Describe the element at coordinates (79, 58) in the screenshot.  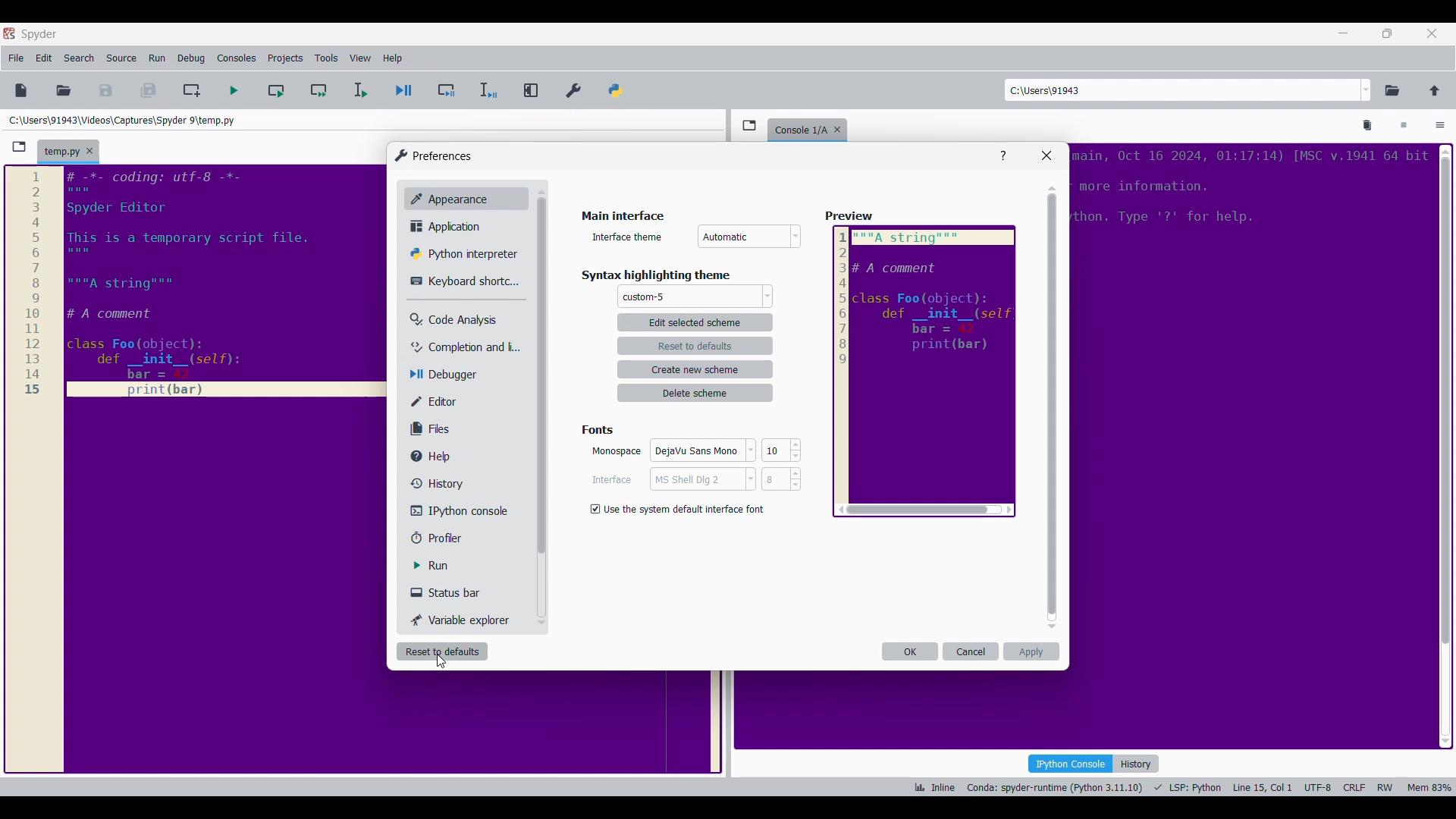
I see `Search menu` at that location.